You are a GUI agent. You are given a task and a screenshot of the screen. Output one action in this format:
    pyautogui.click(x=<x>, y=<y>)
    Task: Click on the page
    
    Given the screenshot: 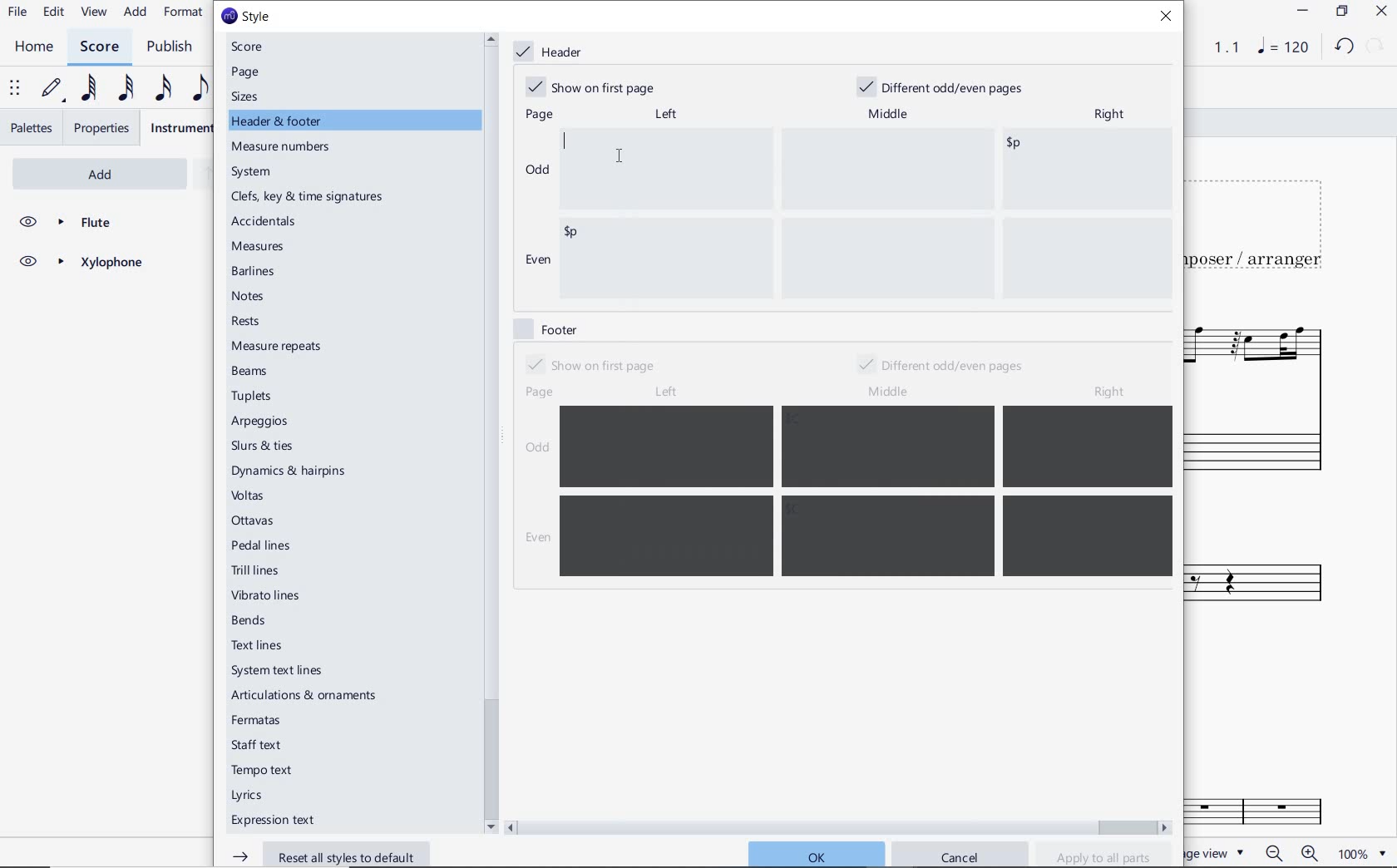 What is the action you would take?
    pyautogui.click(x=247, y=72)
    